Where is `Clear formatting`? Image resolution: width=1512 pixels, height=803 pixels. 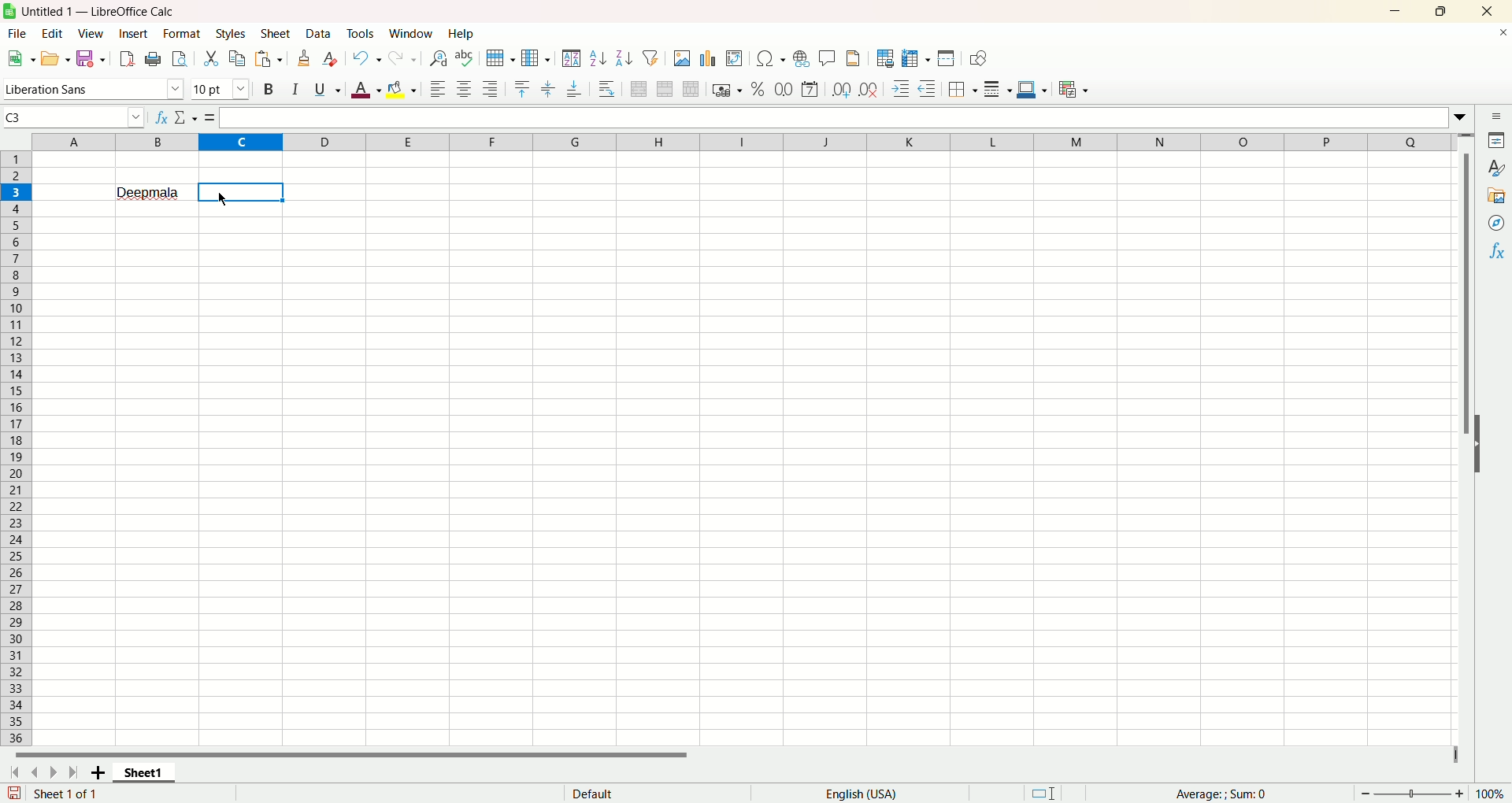
Clear formatting is located at coordinates (332, 58).